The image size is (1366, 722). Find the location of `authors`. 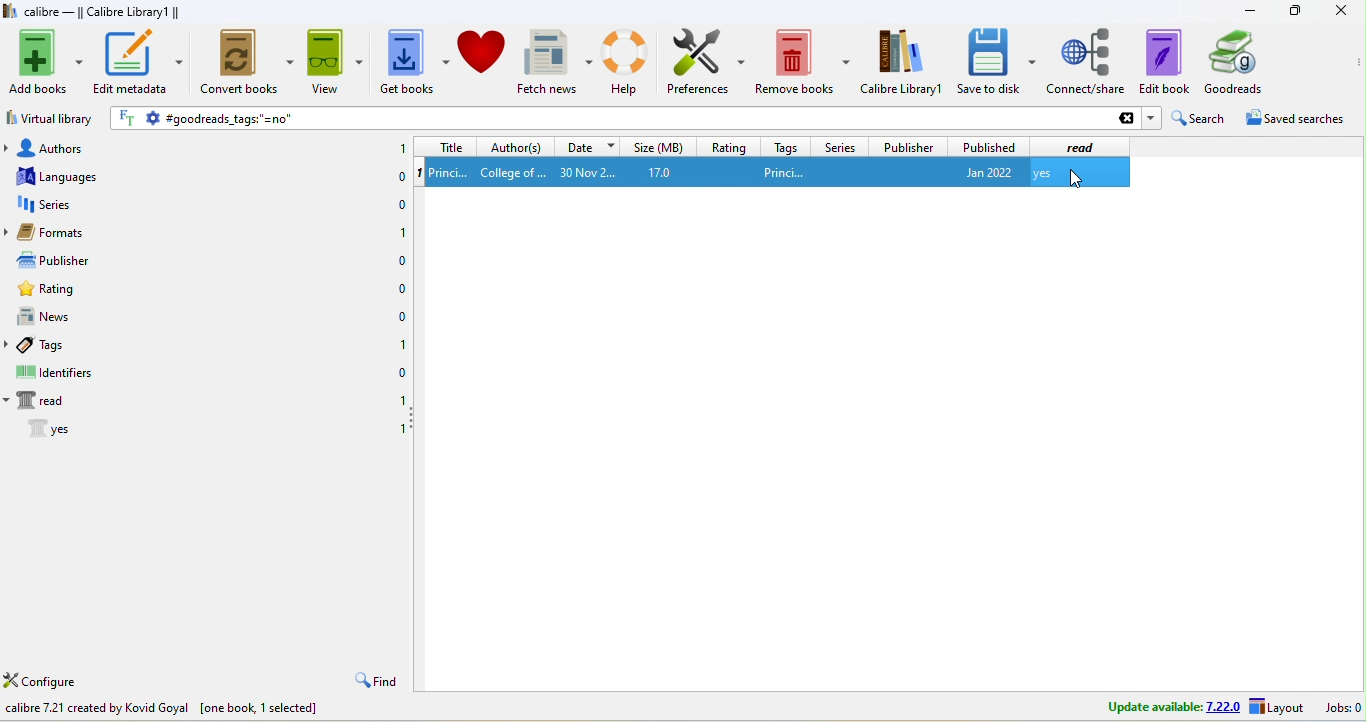

authors is located at coordinates (61, 148).